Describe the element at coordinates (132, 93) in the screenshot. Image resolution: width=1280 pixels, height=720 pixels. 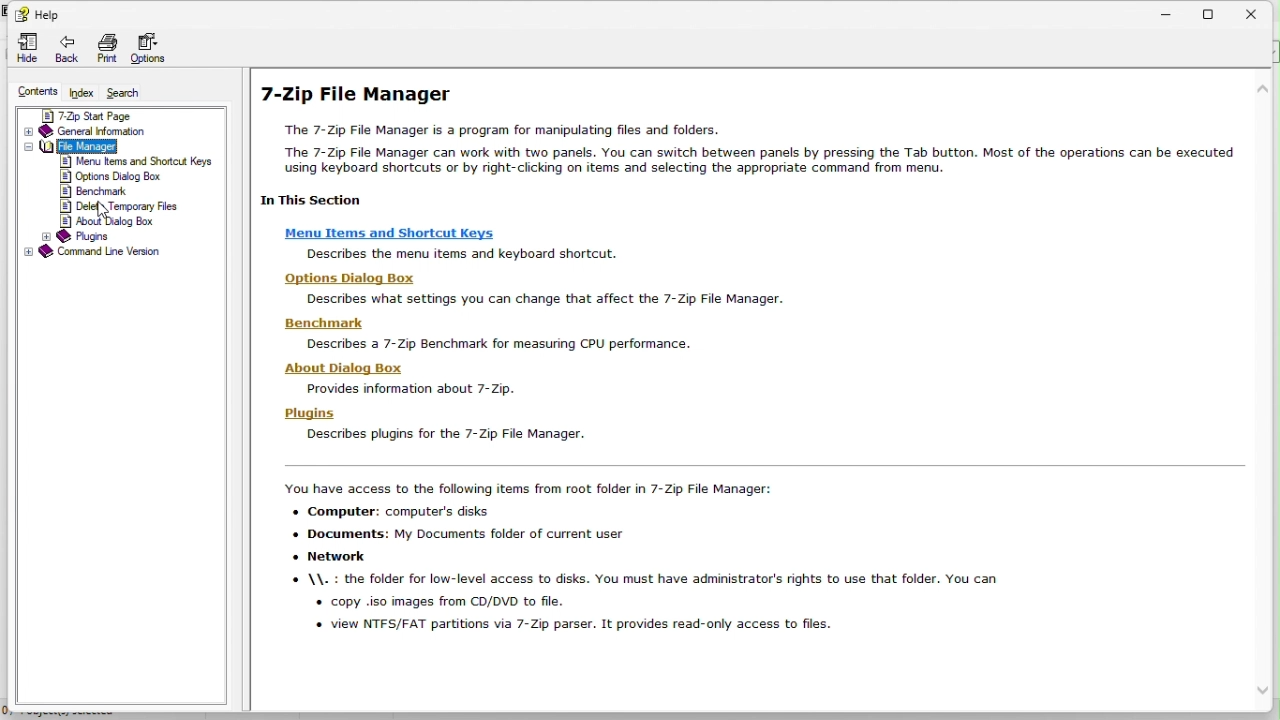
I see `Search` at that location.